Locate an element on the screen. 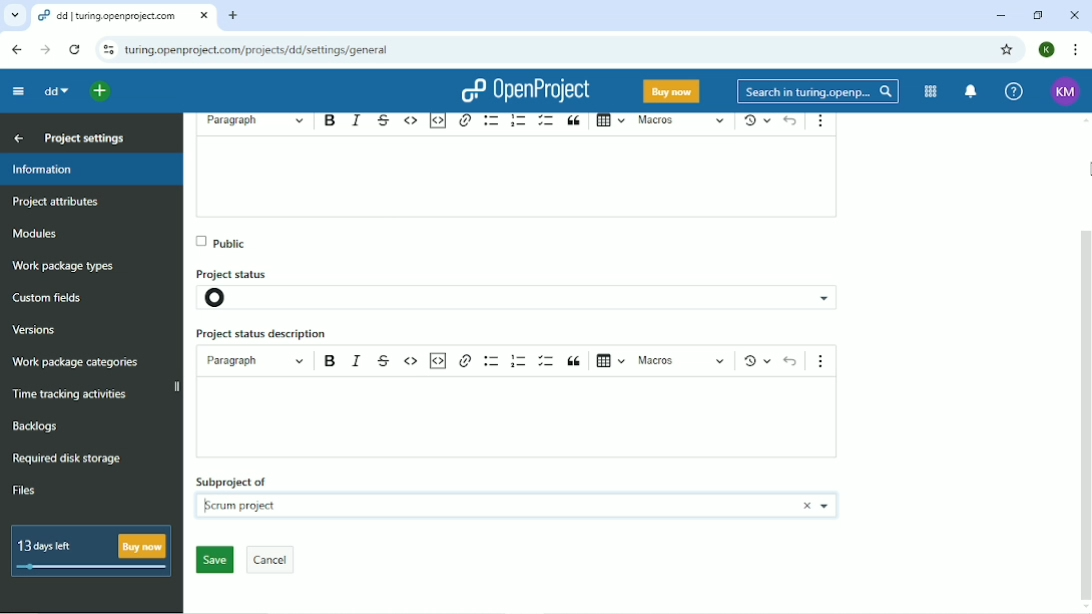 This screenshot has width=1092, height=614. Forward is located at coordinates (45, 51).